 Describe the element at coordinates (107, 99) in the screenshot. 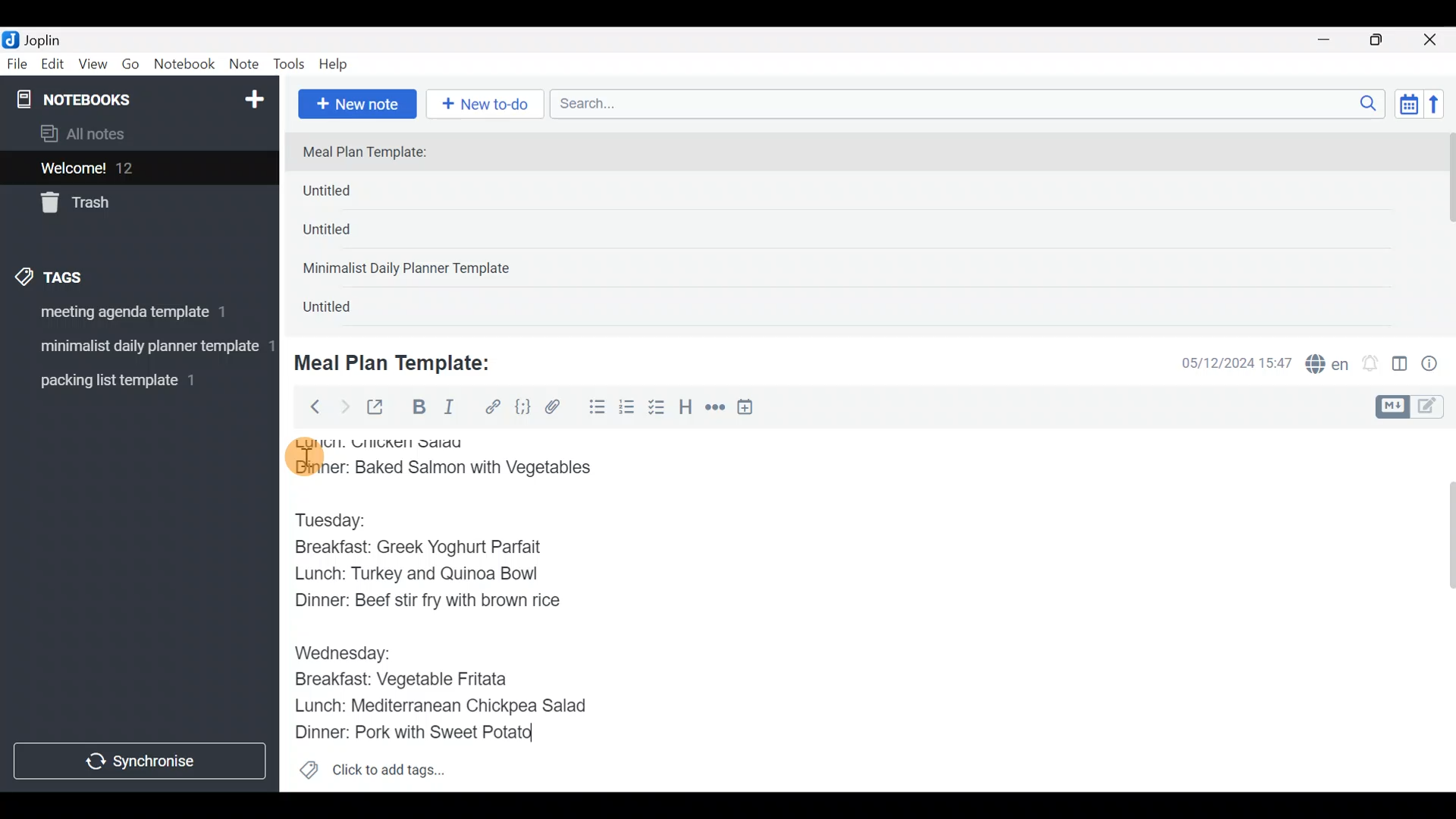

I see `Notebooks` at that location.